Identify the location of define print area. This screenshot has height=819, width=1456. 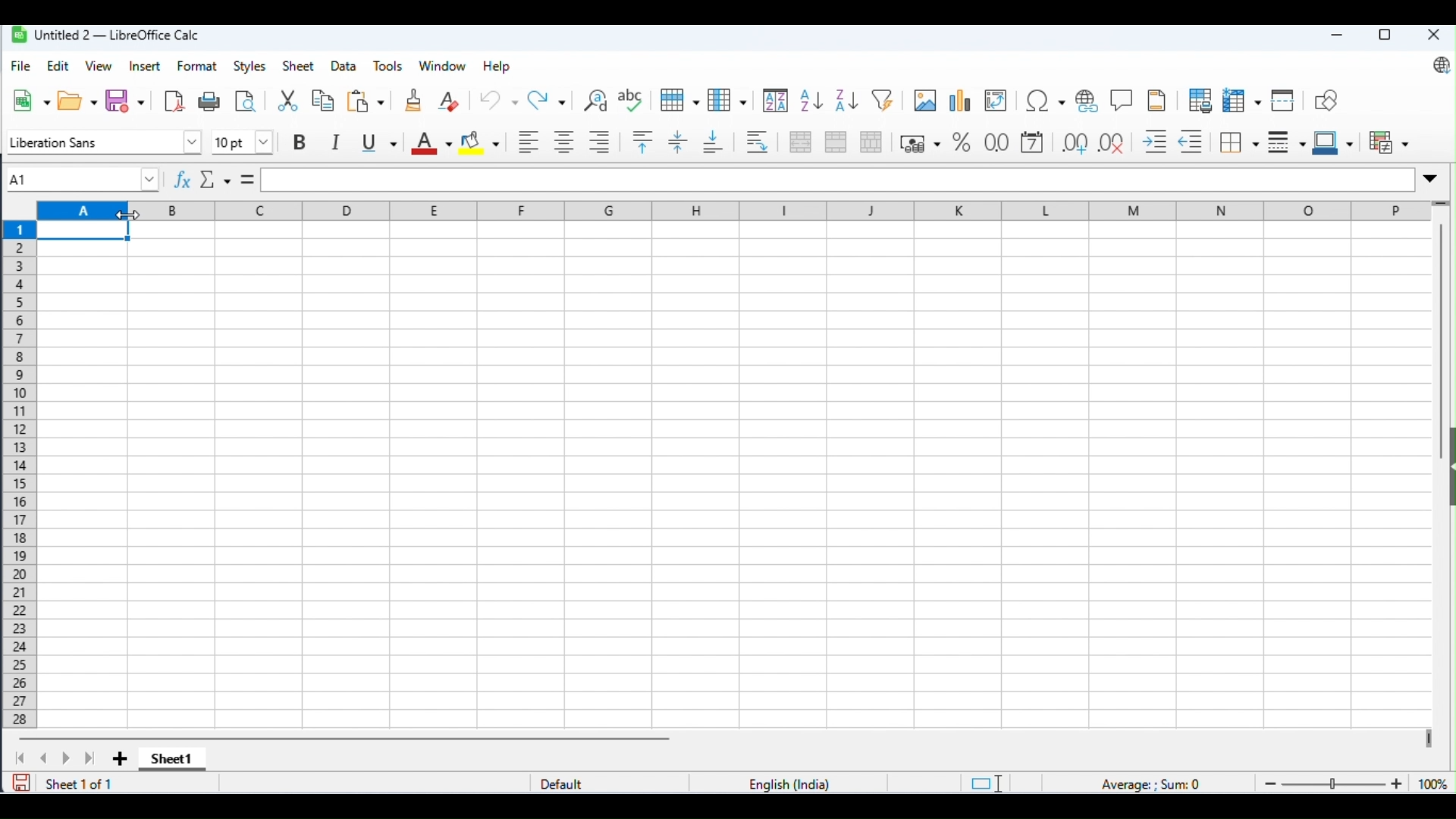
(1200, 99).